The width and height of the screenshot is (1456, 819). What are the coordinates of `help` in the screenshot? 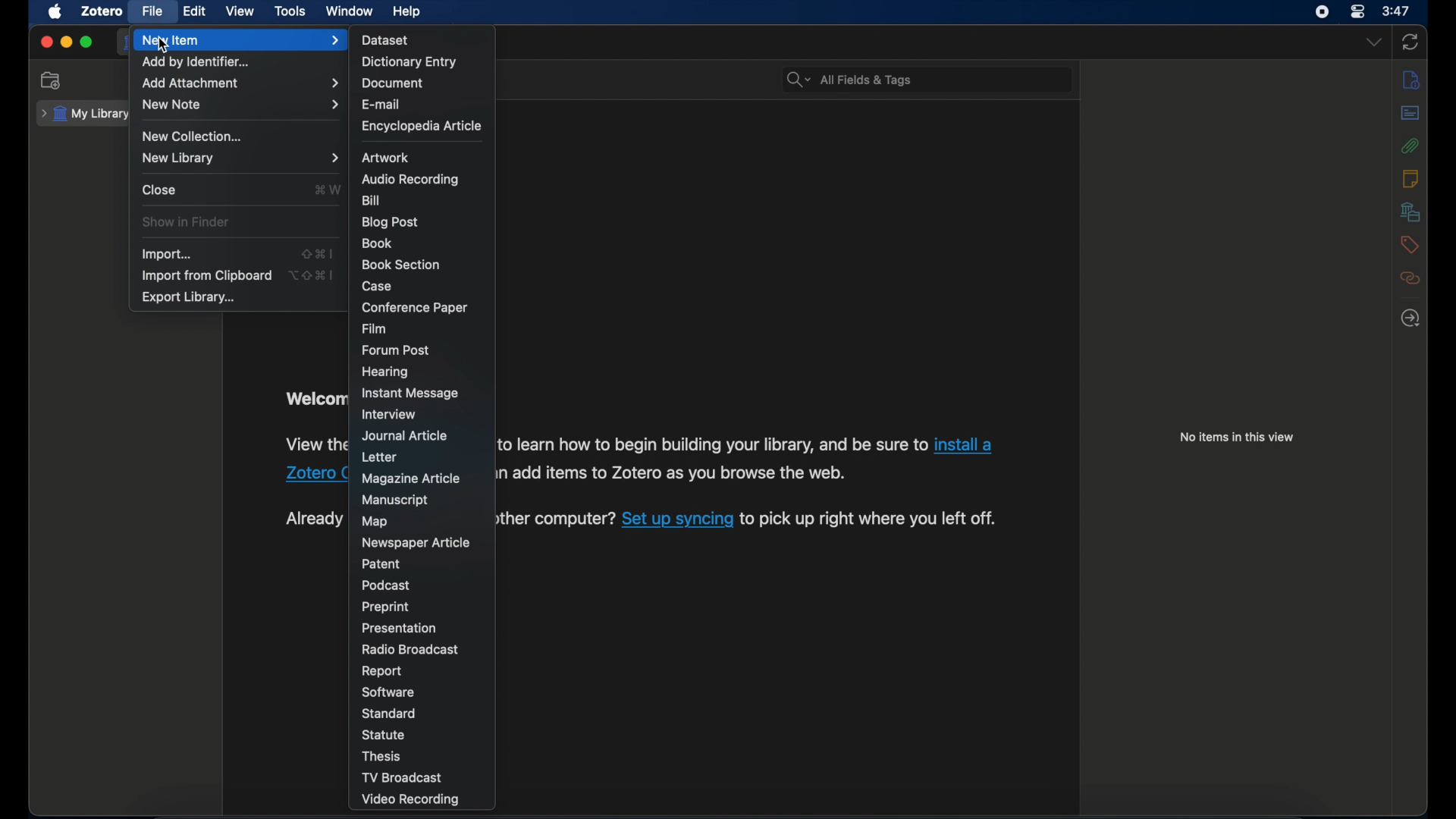 It's located at (408, 12).